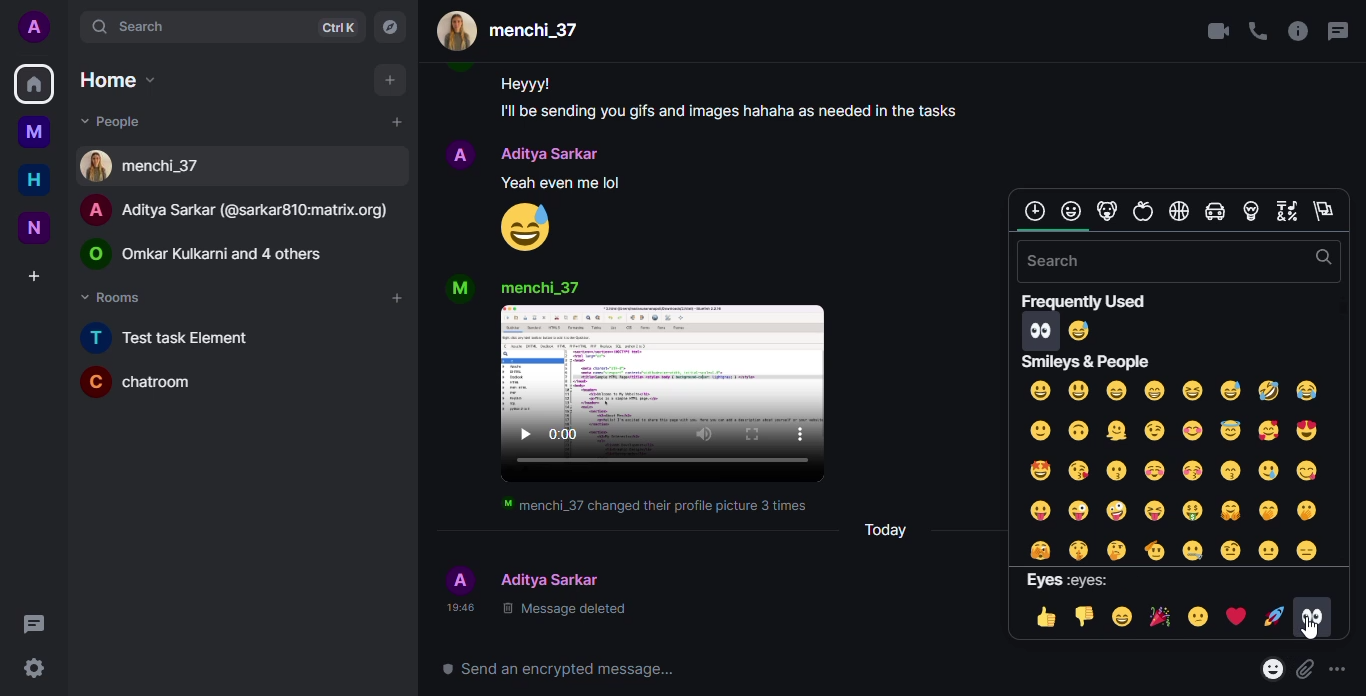  Describe the element at coordinates (666, 396) in the screenshot. I see `video` at that location.